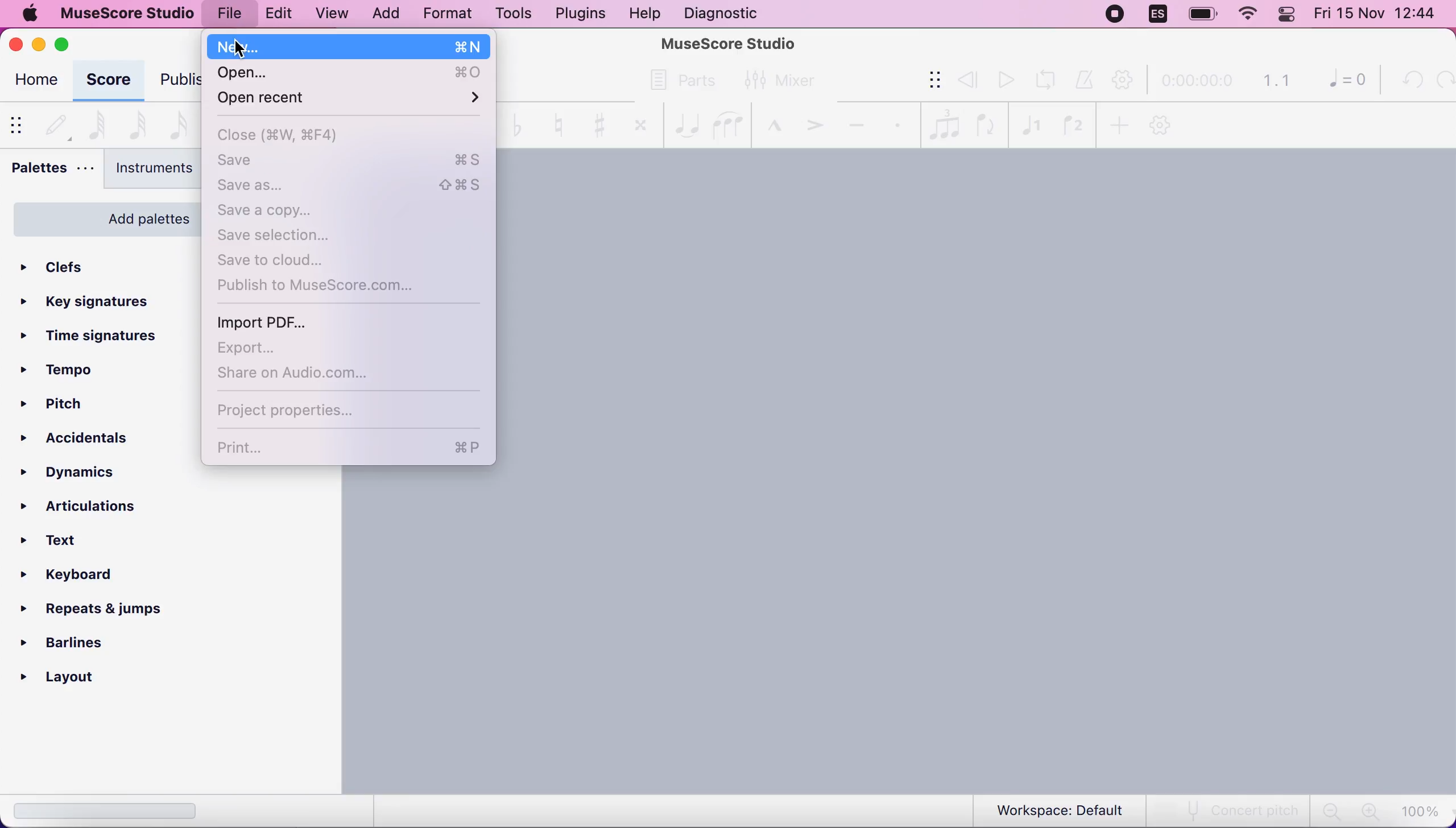  I want to click on edit, so click(276, 12).